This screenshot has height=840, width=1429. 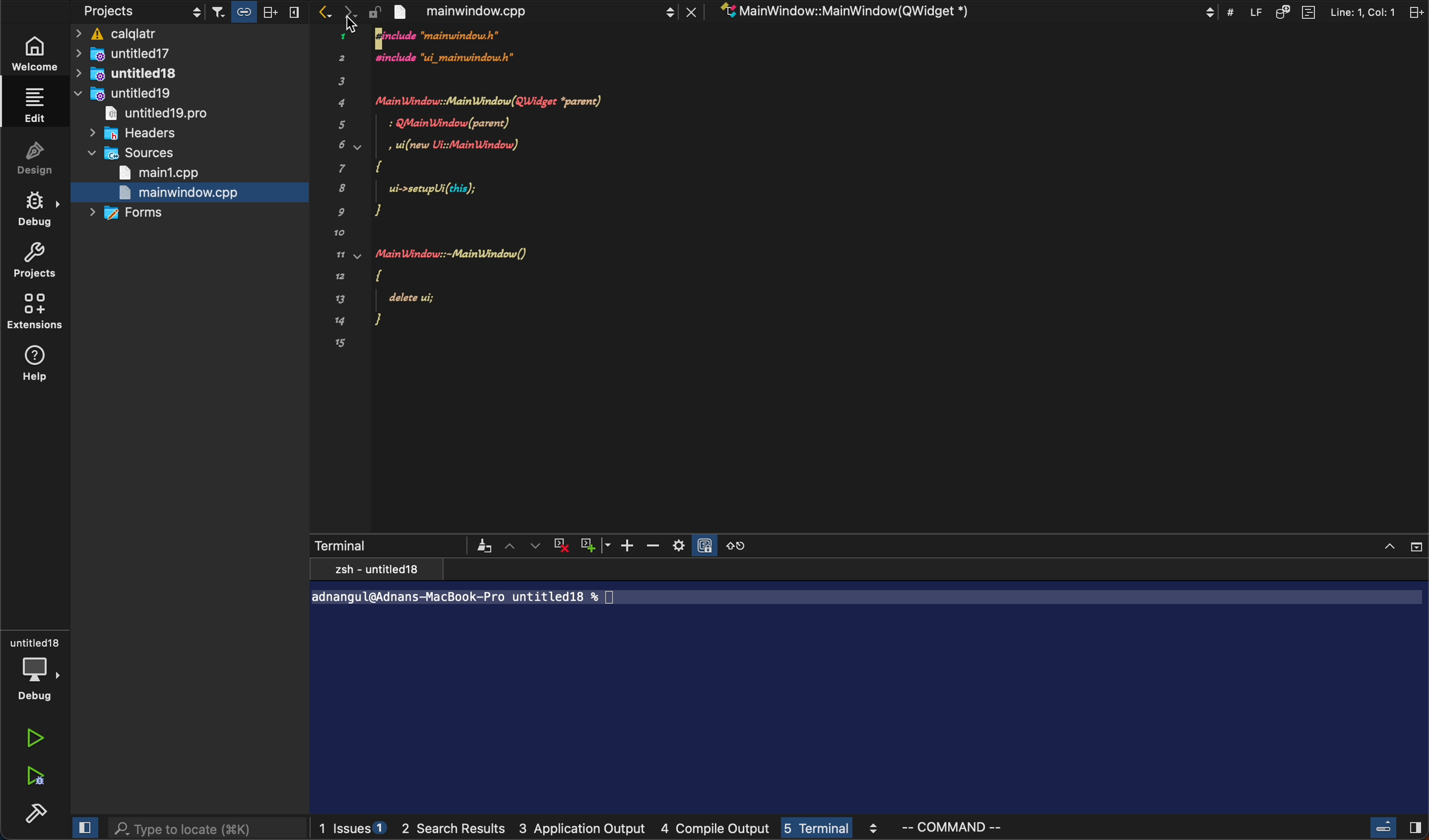 I want to click on Setting, so click(x=679, y=546).